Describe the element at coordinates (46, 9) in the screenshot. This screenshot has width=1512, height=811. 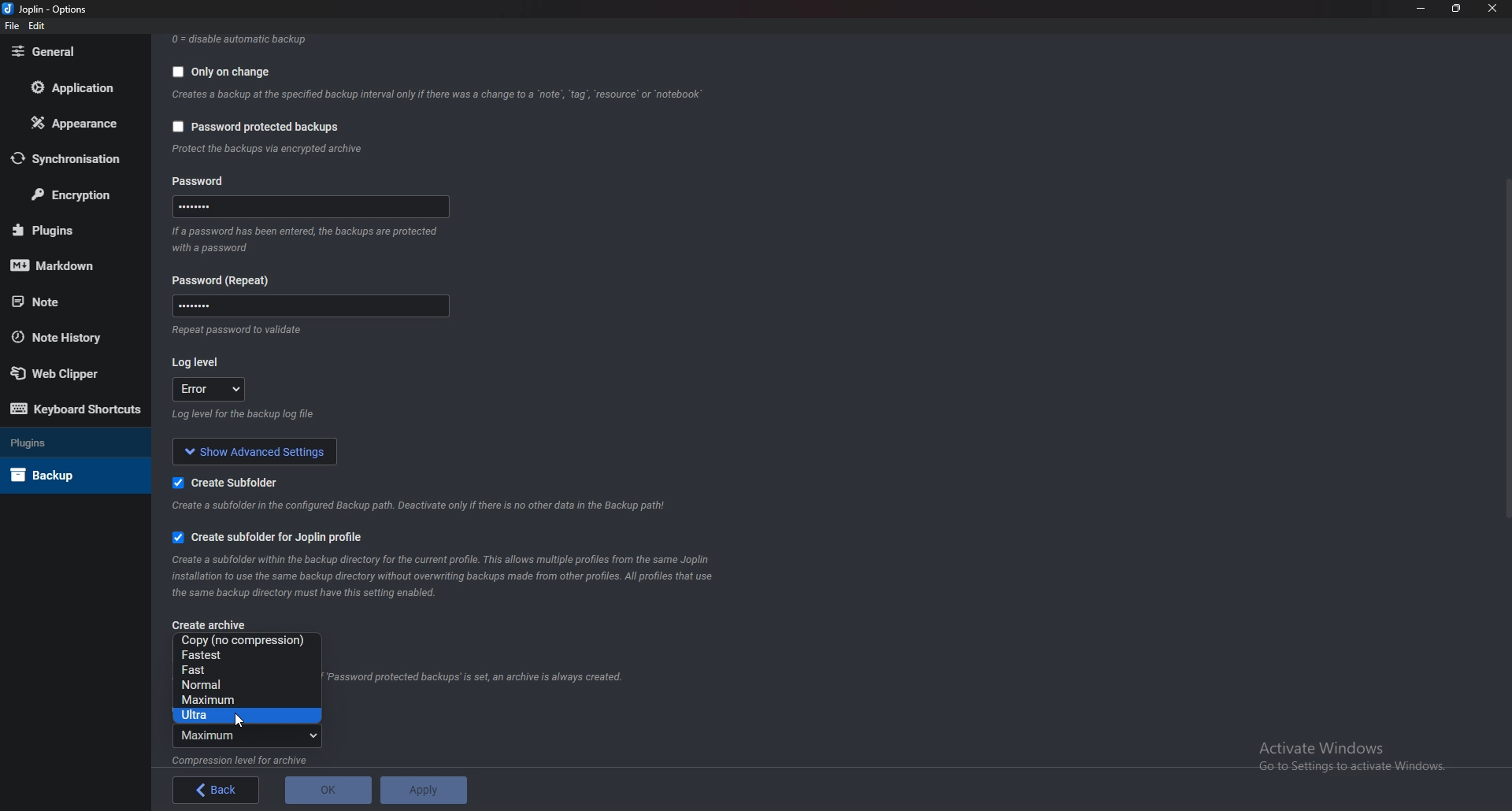
I see `joplin` at that location.